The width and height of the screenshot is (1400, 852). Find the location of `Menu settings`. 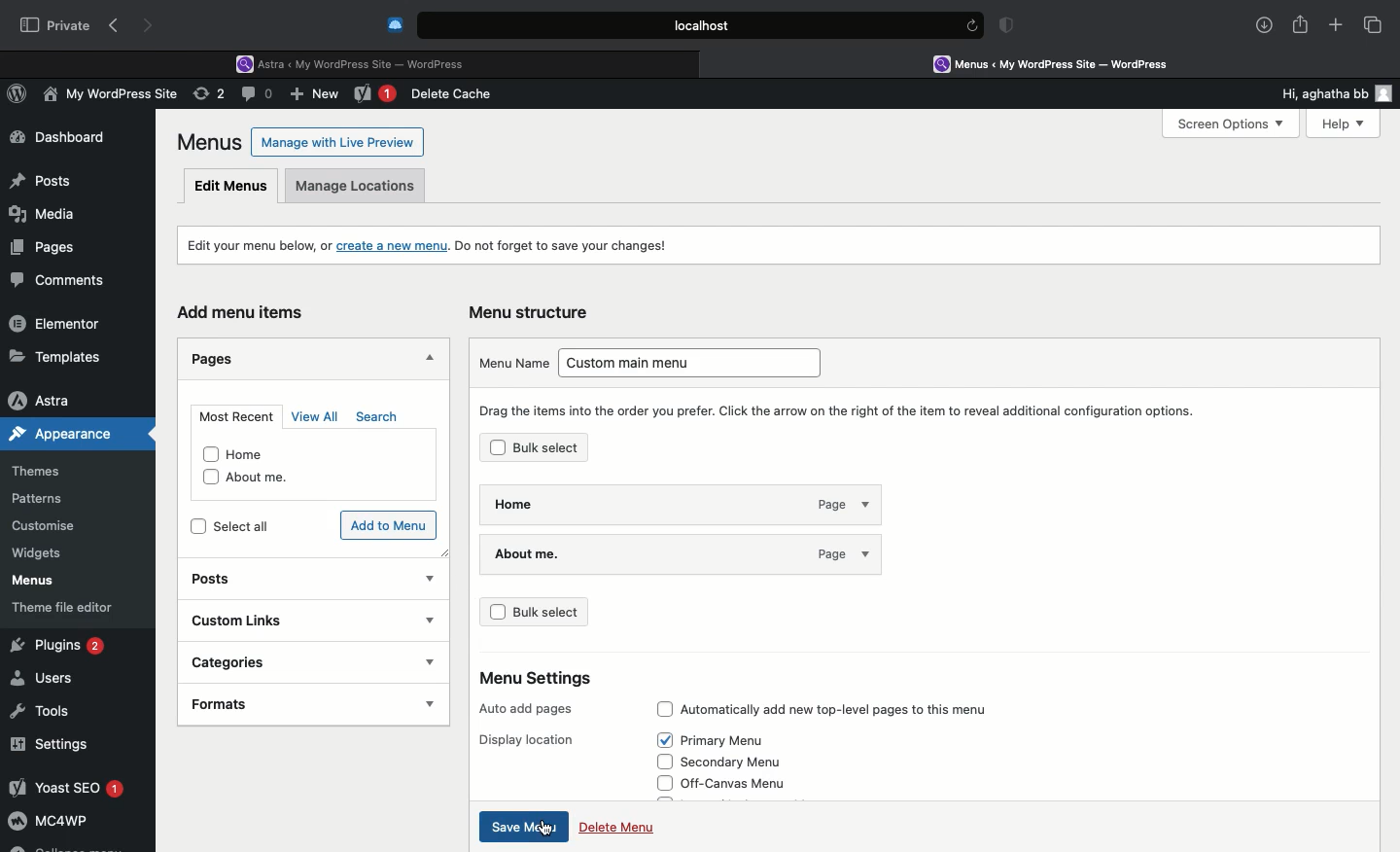

Menu settings is located at coordinates (539, 679).